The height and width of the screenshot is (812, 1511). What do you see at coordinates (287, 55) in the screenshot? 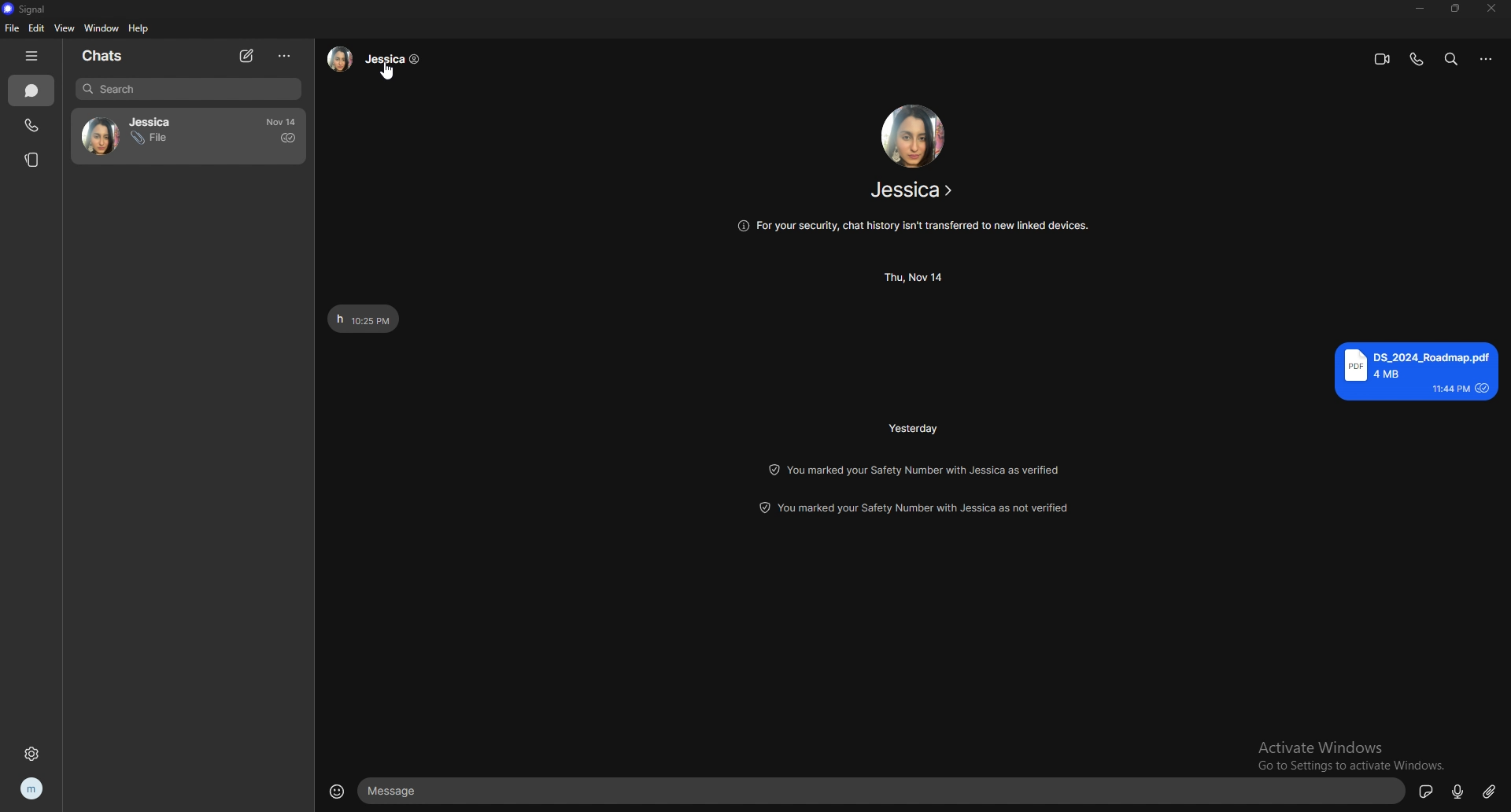
I see `options` at bounding box center [287, 55].